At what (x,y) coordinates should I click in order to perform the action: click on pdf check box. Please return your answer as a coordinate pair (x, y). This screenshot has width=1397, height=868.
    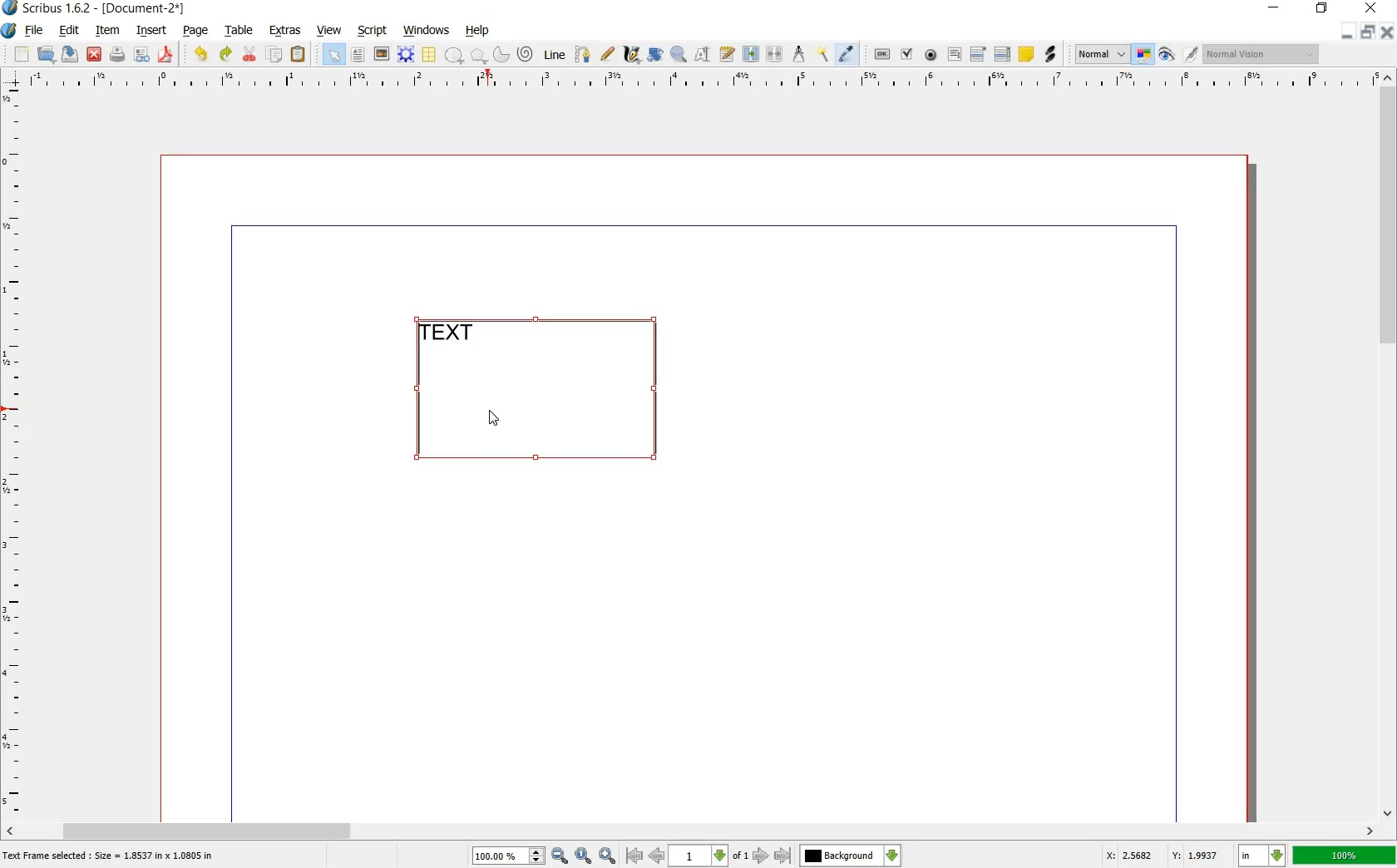
    Looking at the image, I should click on (906, 54).